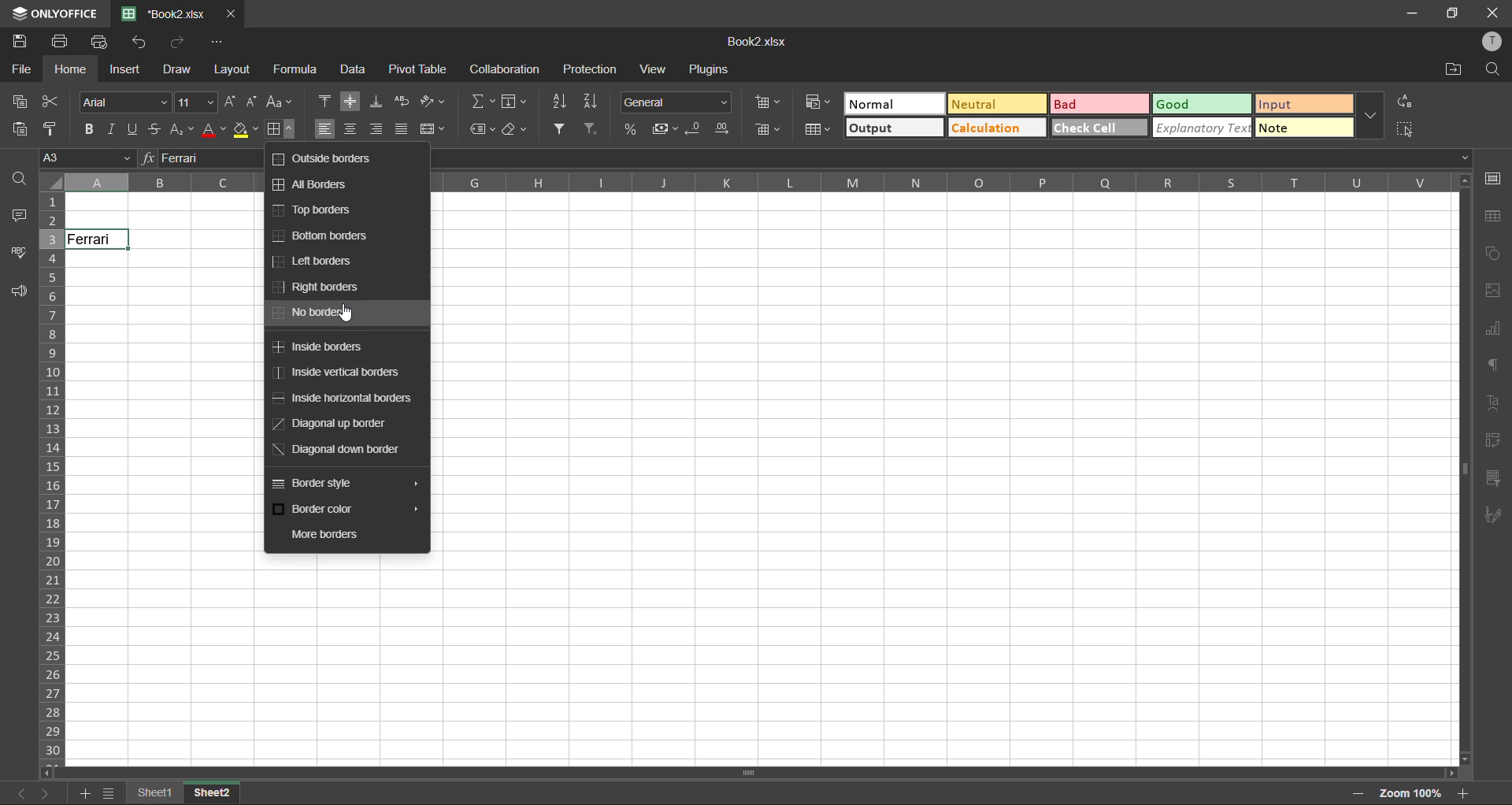 The height and width of the screenshot is (805, 1512). What do you see at coordinates (996, 127) in the screenshot?
I see `calculation` at bounding box center [996, 127].